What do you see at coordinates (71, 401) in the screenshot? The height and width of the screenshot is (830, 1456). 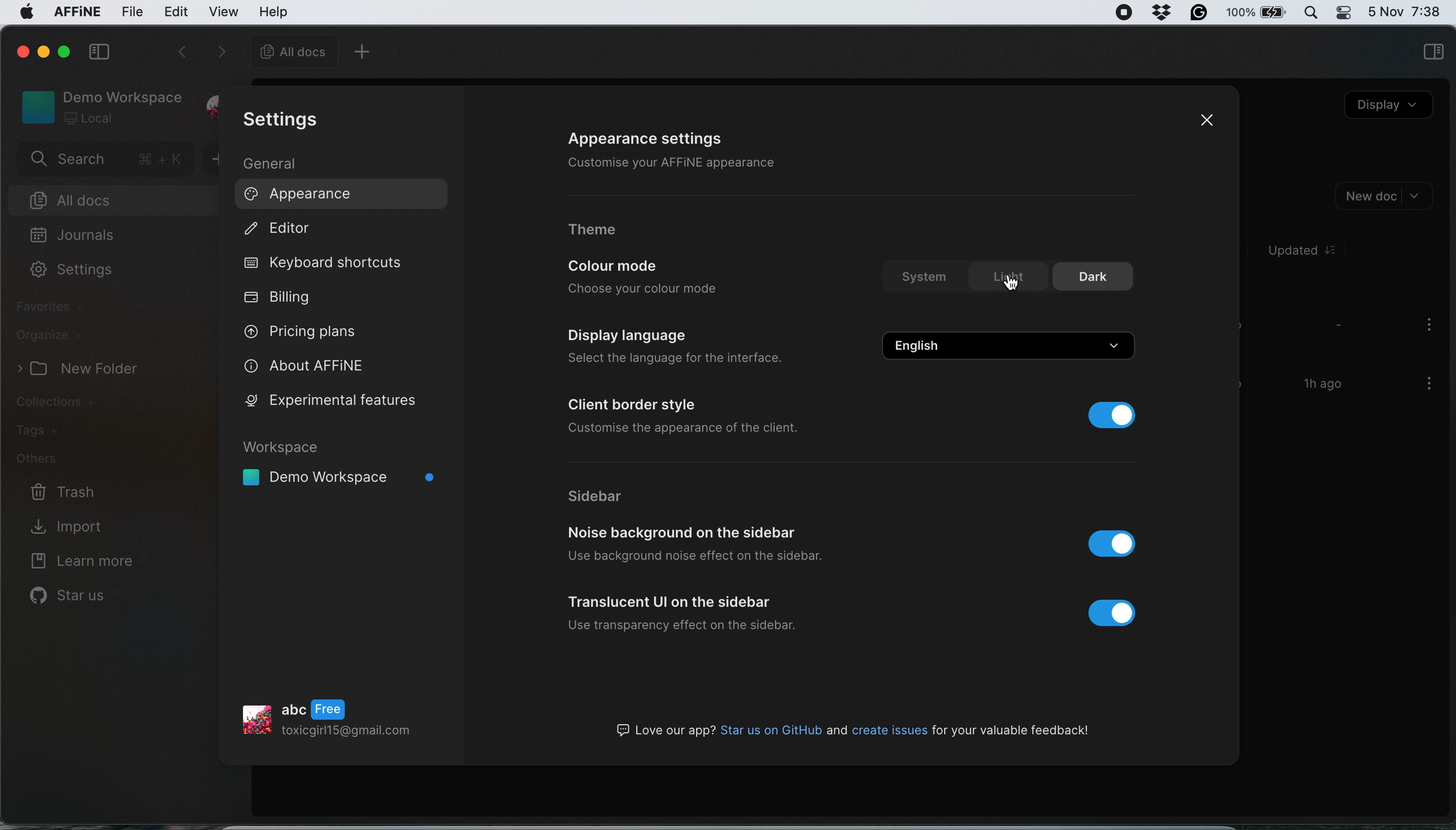 I see `collections` at bounding box center [71, 401].